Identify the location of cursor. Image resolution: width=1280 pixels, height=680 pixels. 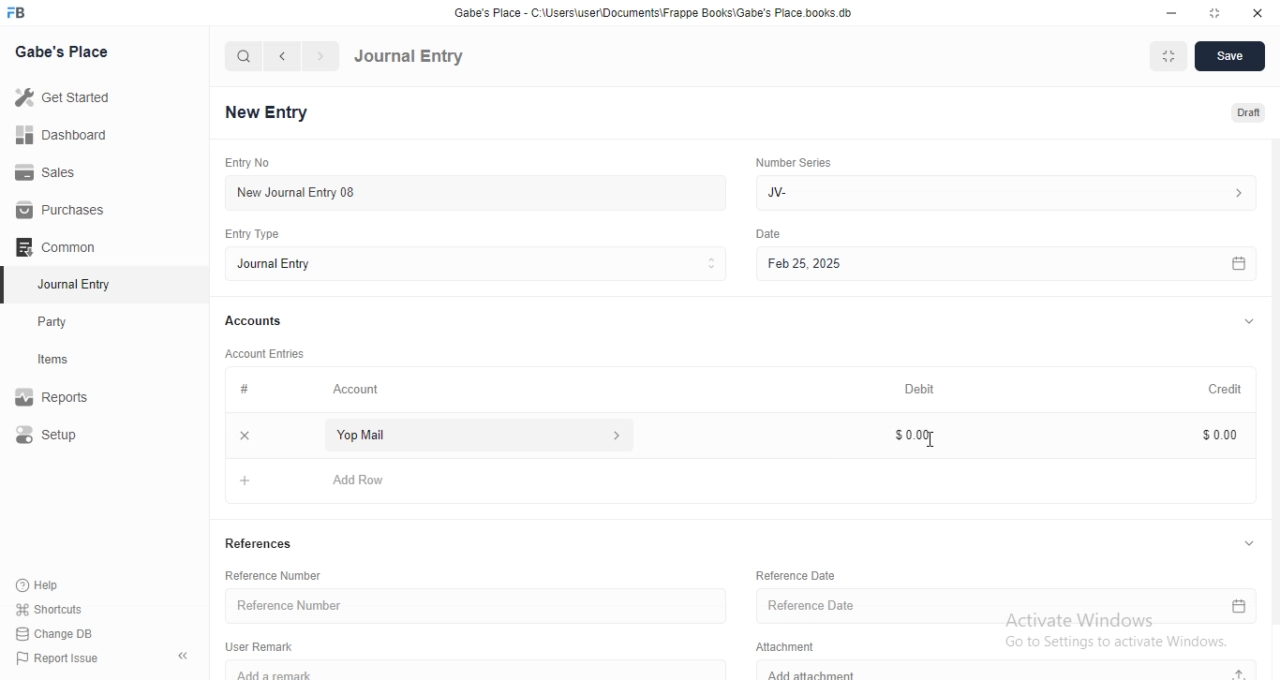
(931, 441).